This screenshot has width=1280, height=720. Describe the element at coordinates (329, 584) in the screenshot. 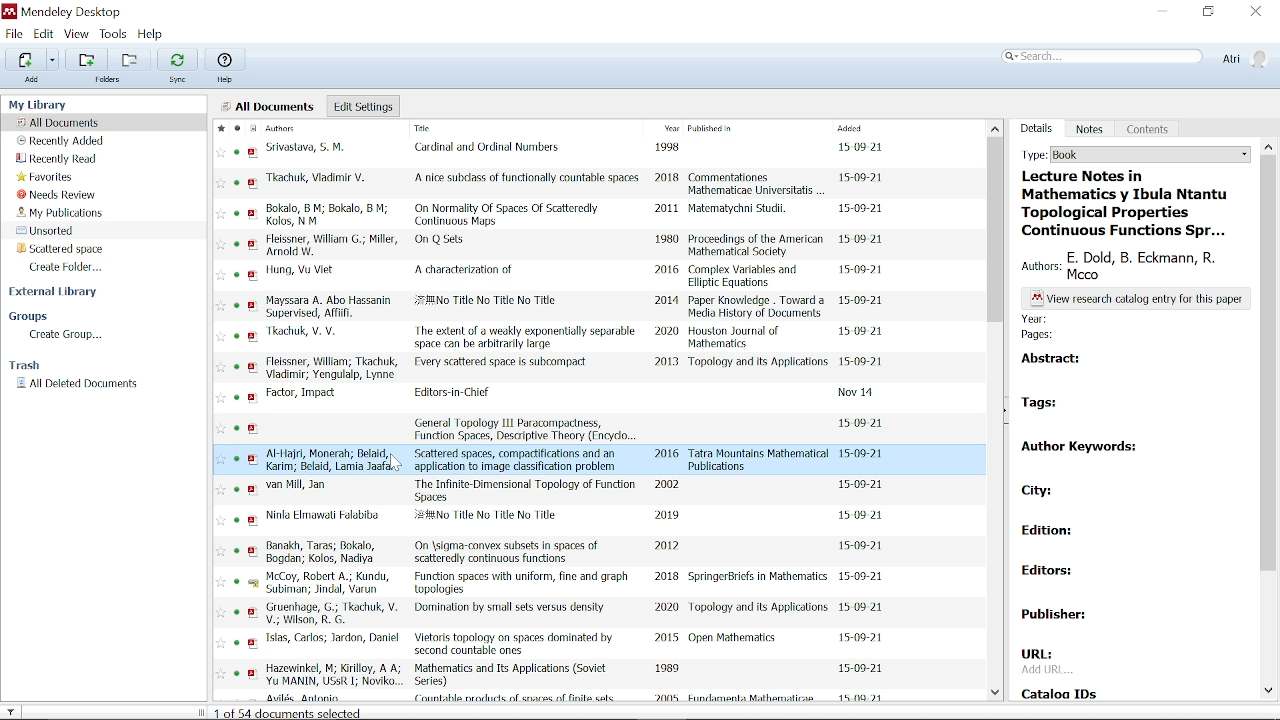

I see `authors` at that location.